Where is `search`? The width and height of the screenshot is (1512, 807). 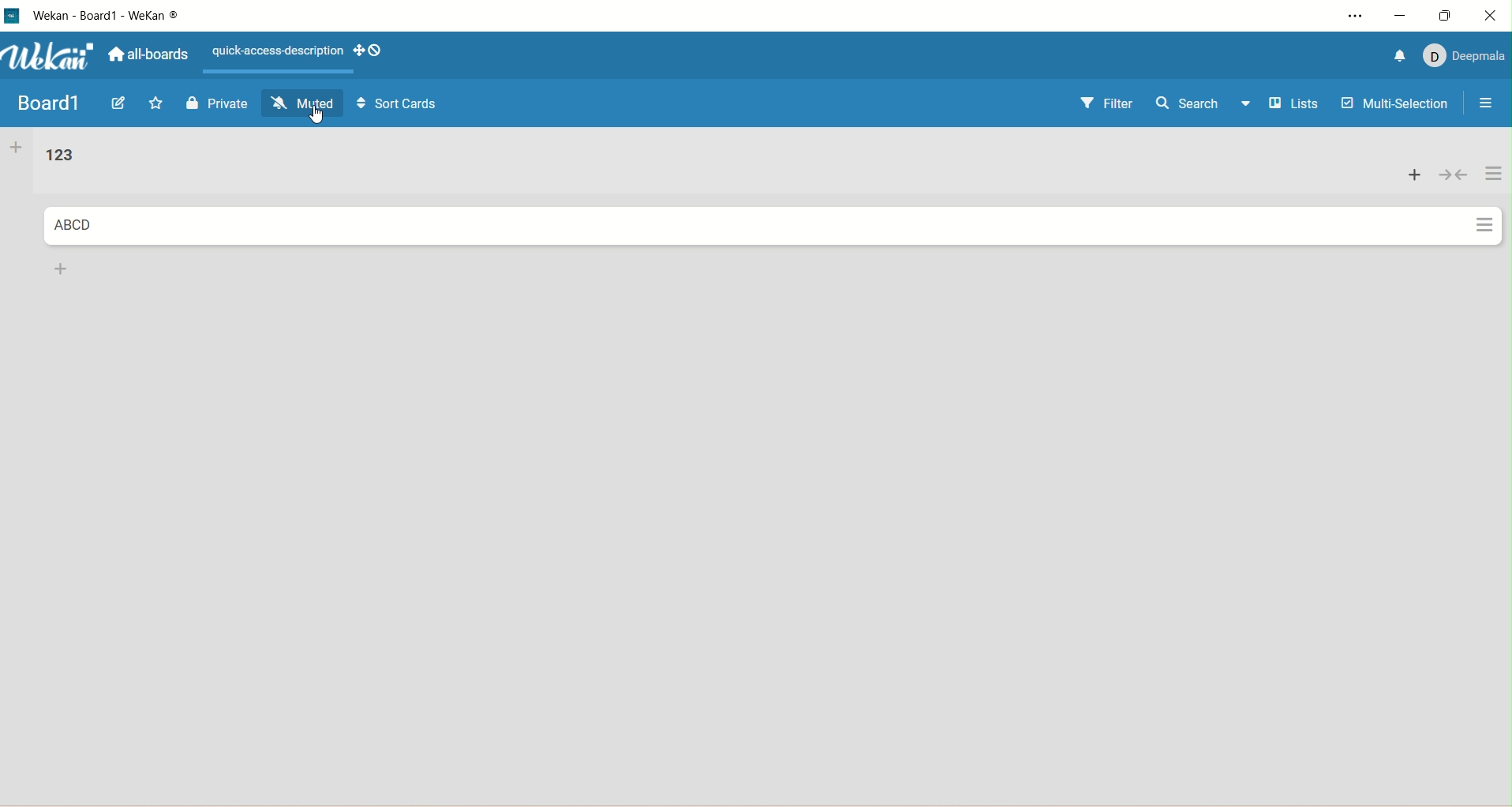
search is located at coordinates (1192, 106).